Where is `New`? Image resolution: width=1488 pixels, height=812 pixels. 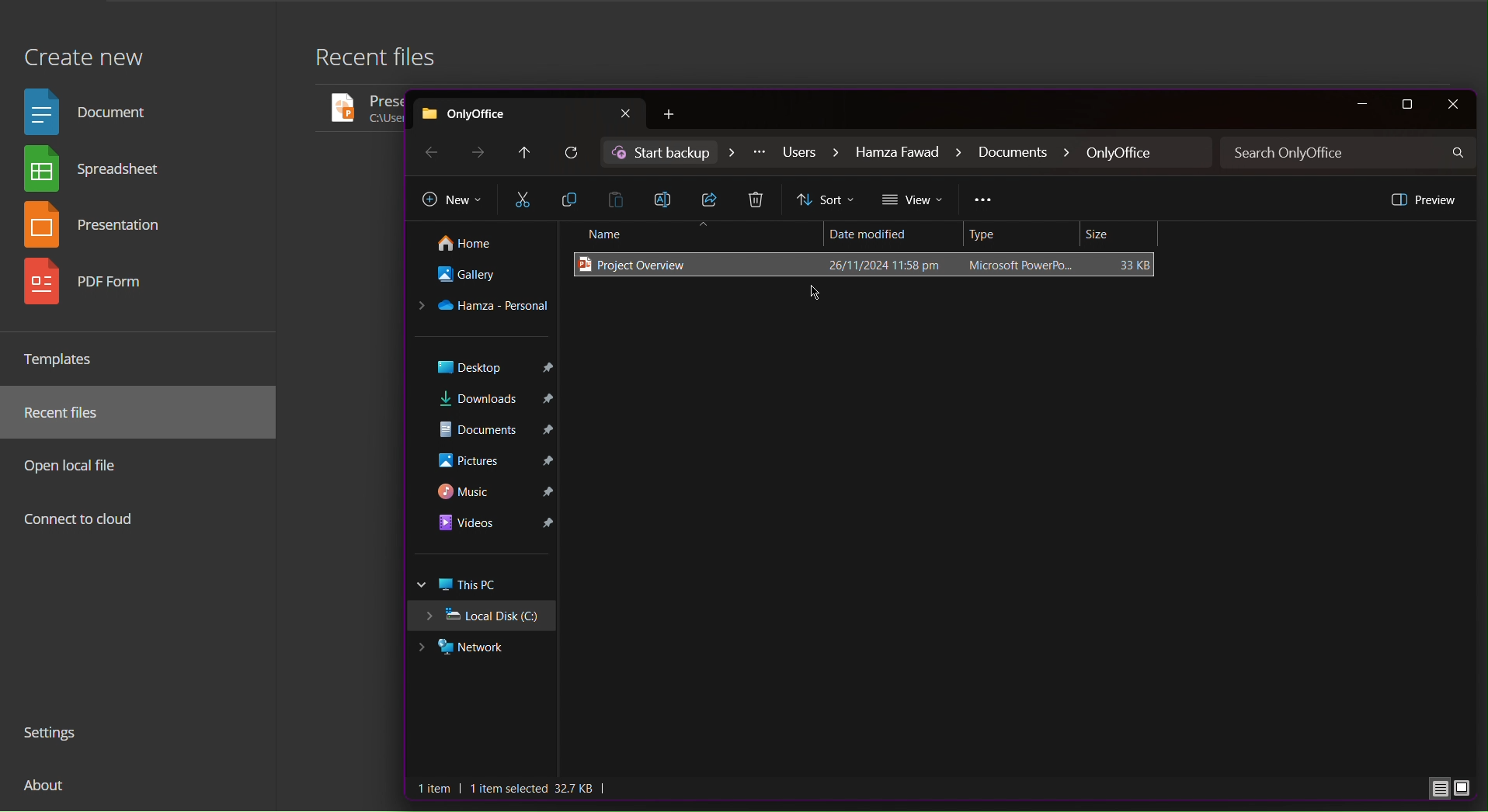 New is located at coordinates (452, 201).